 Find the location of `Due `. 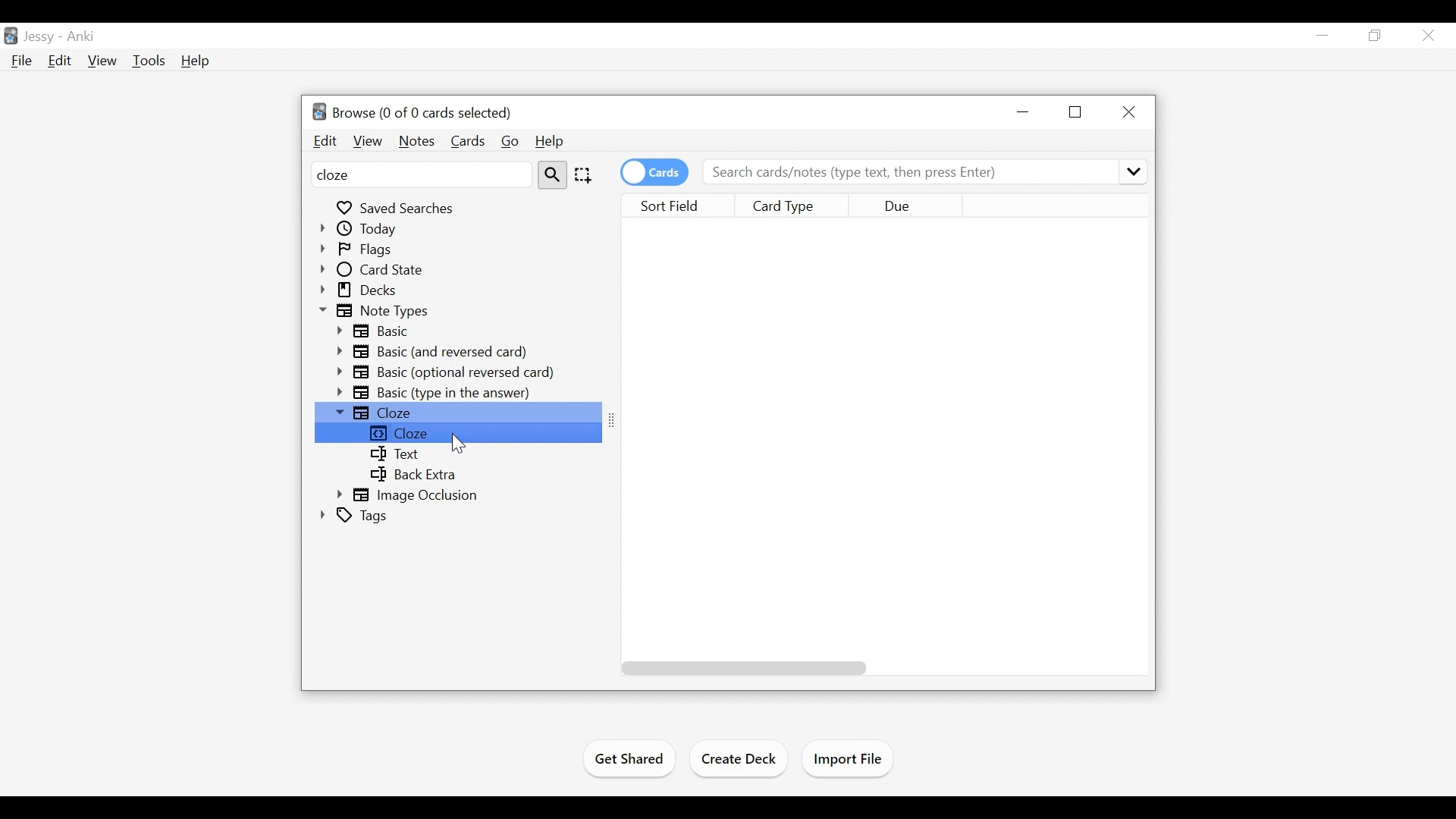

Due  is located at coordinates (904, 206).